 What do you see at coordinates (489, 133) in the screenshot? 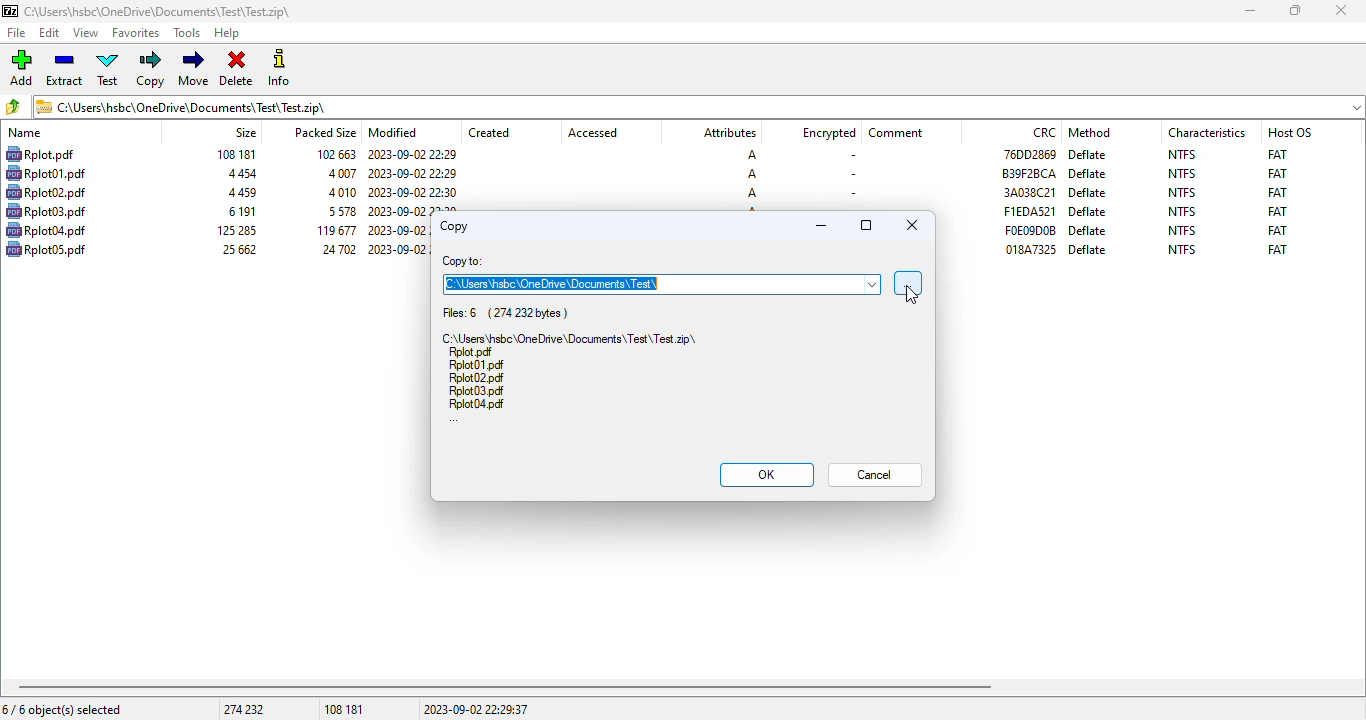
I see `created` at bounding box center [489, 133].